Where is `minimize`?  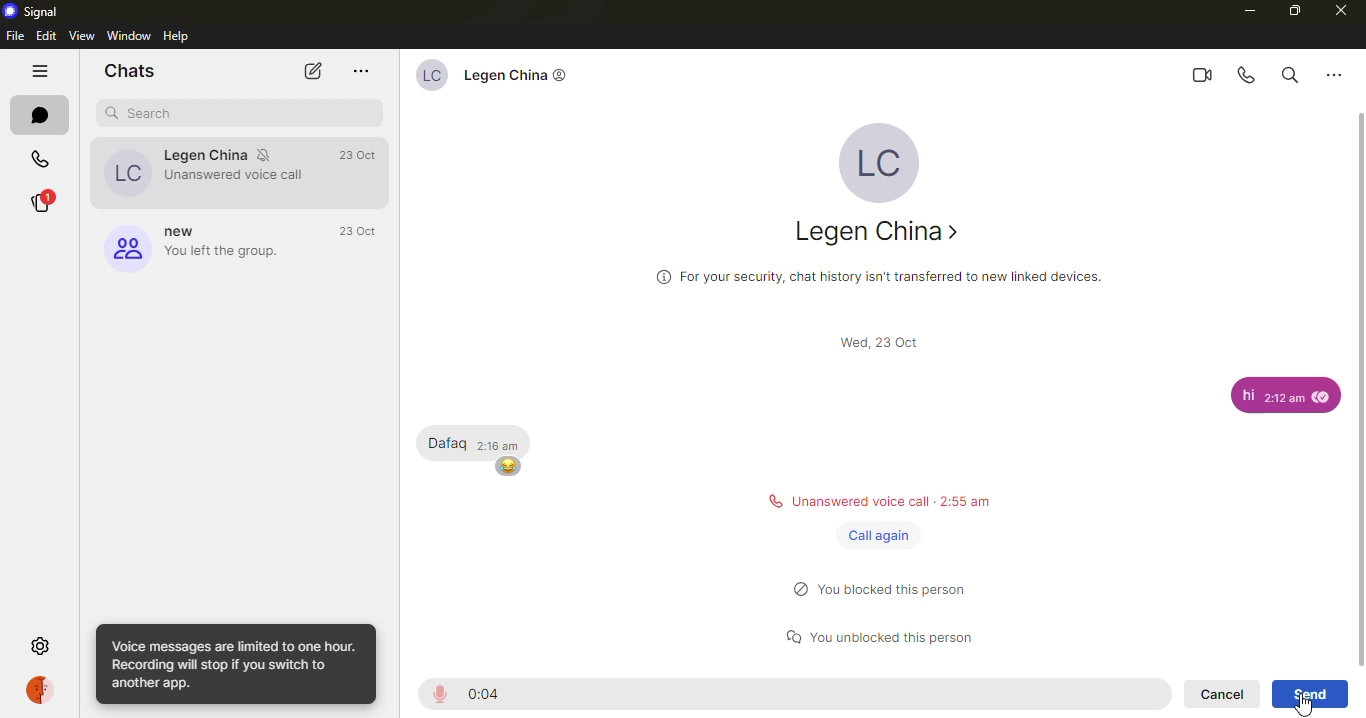
minimize is located at coordinates (1240, 11).